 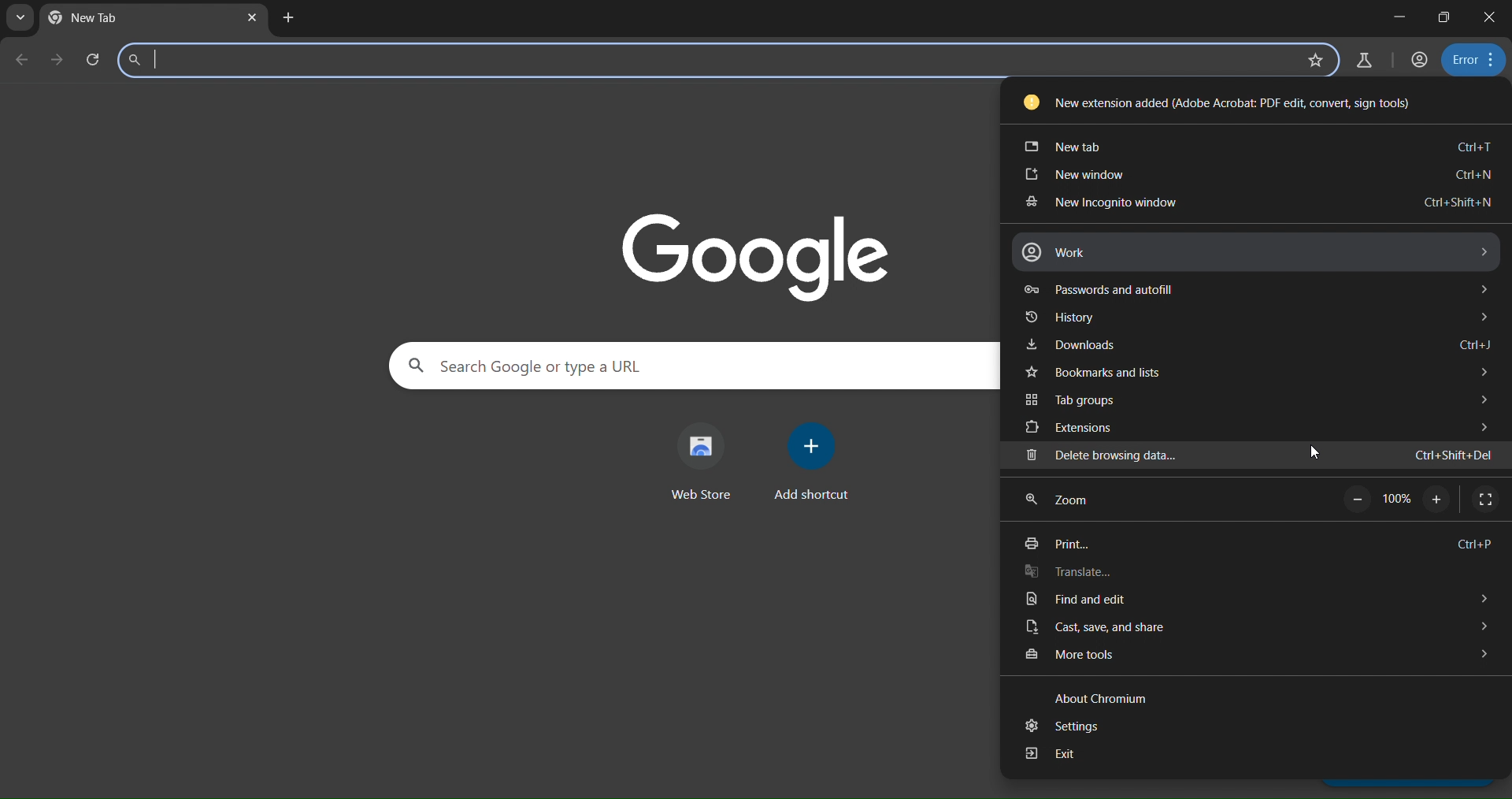 What do you see at coordinates (696, 366) in the screenshot?
I see `Search Google or type a URL` at bounding box center [696, 366].